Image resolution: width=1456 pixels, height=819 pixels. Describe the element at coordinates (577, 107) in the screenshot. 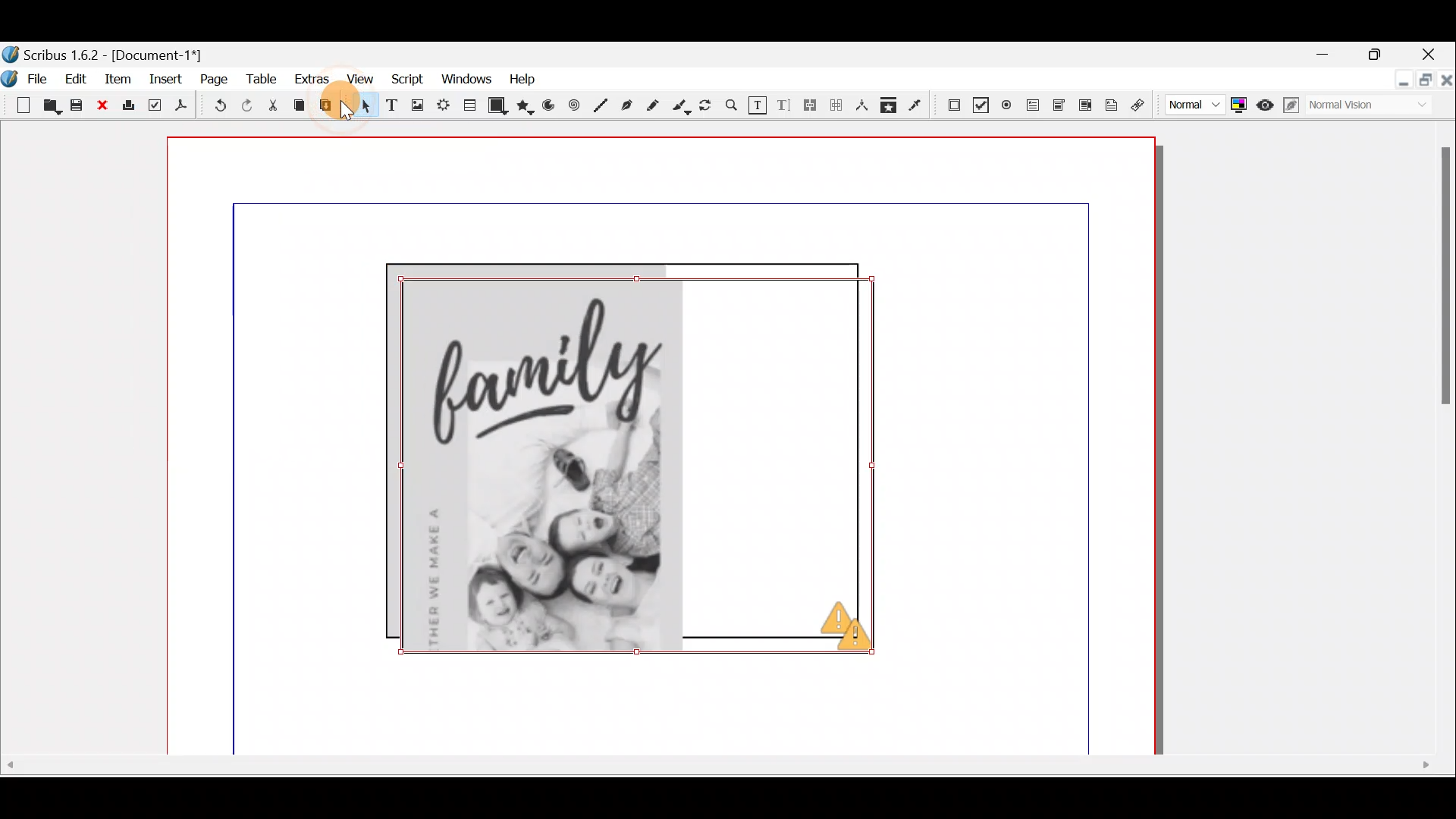

I see `Spiral` at that location.